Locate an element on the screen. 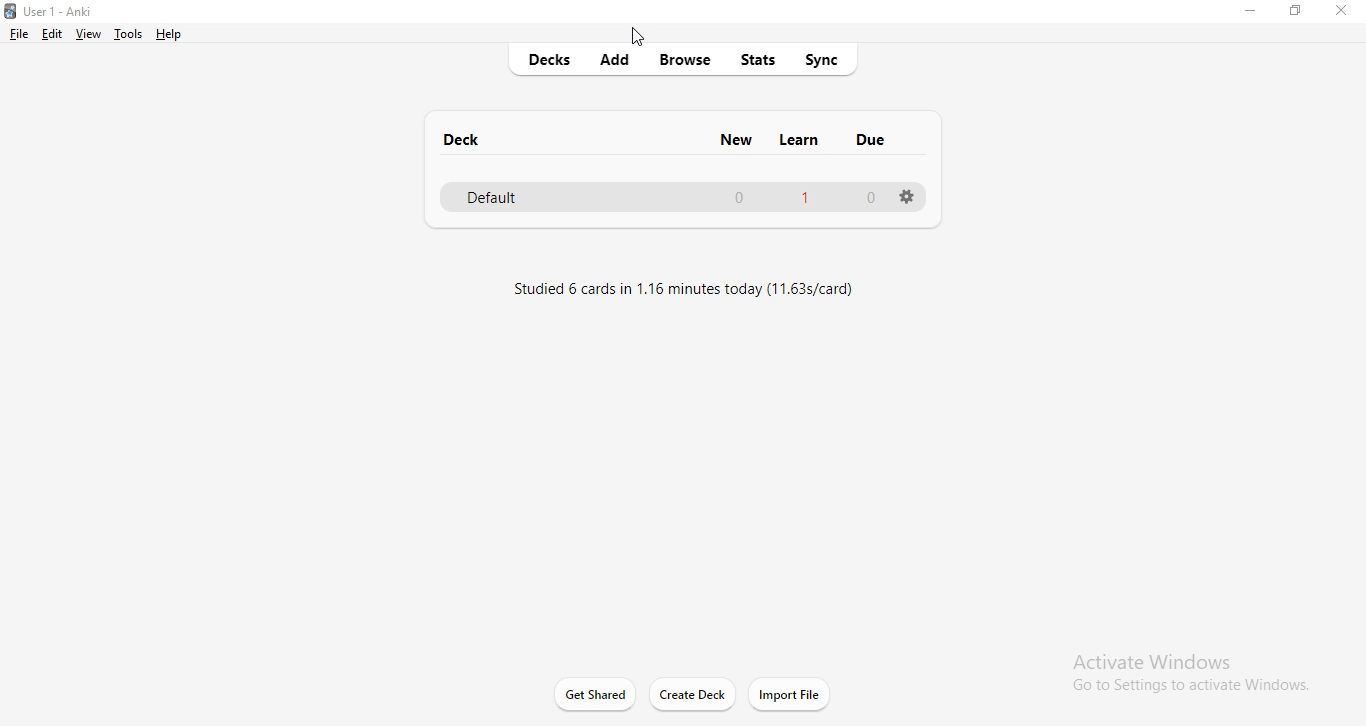  due is located at coordinates (869, 141).